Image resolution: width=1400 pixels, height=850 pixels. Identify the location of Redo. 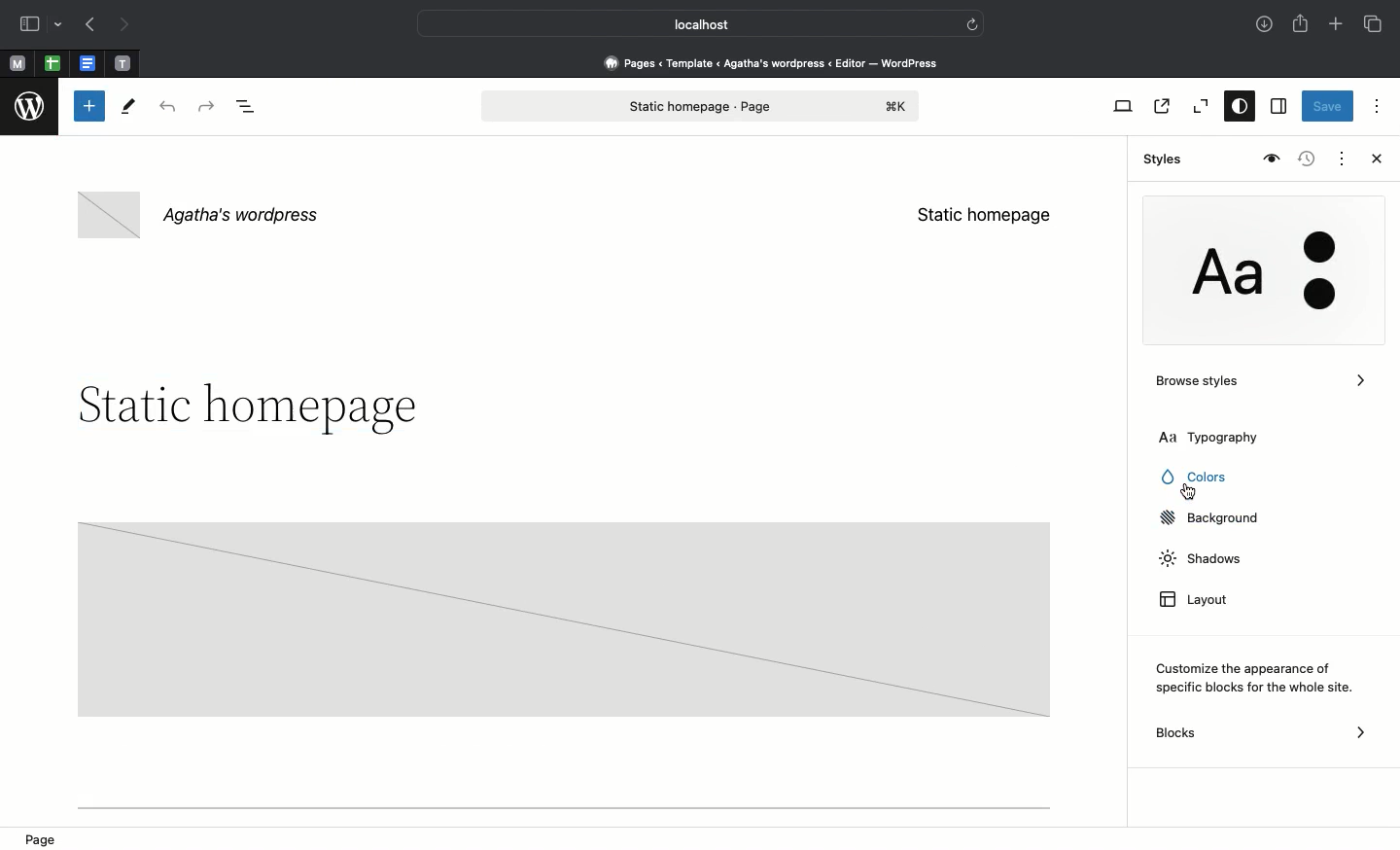
(209, 107).